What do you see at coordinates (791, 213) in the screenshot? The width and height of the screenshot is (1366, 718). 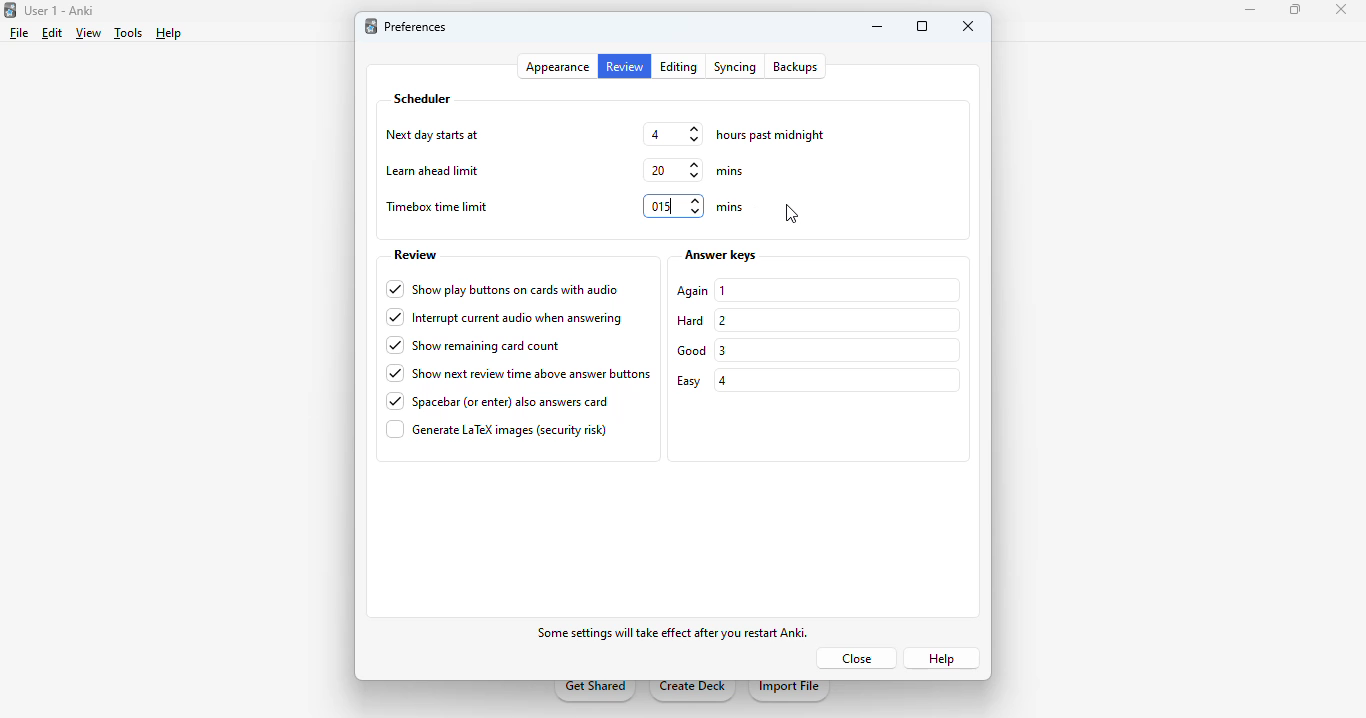 I see `cursor` at bounding box center [791, 213].